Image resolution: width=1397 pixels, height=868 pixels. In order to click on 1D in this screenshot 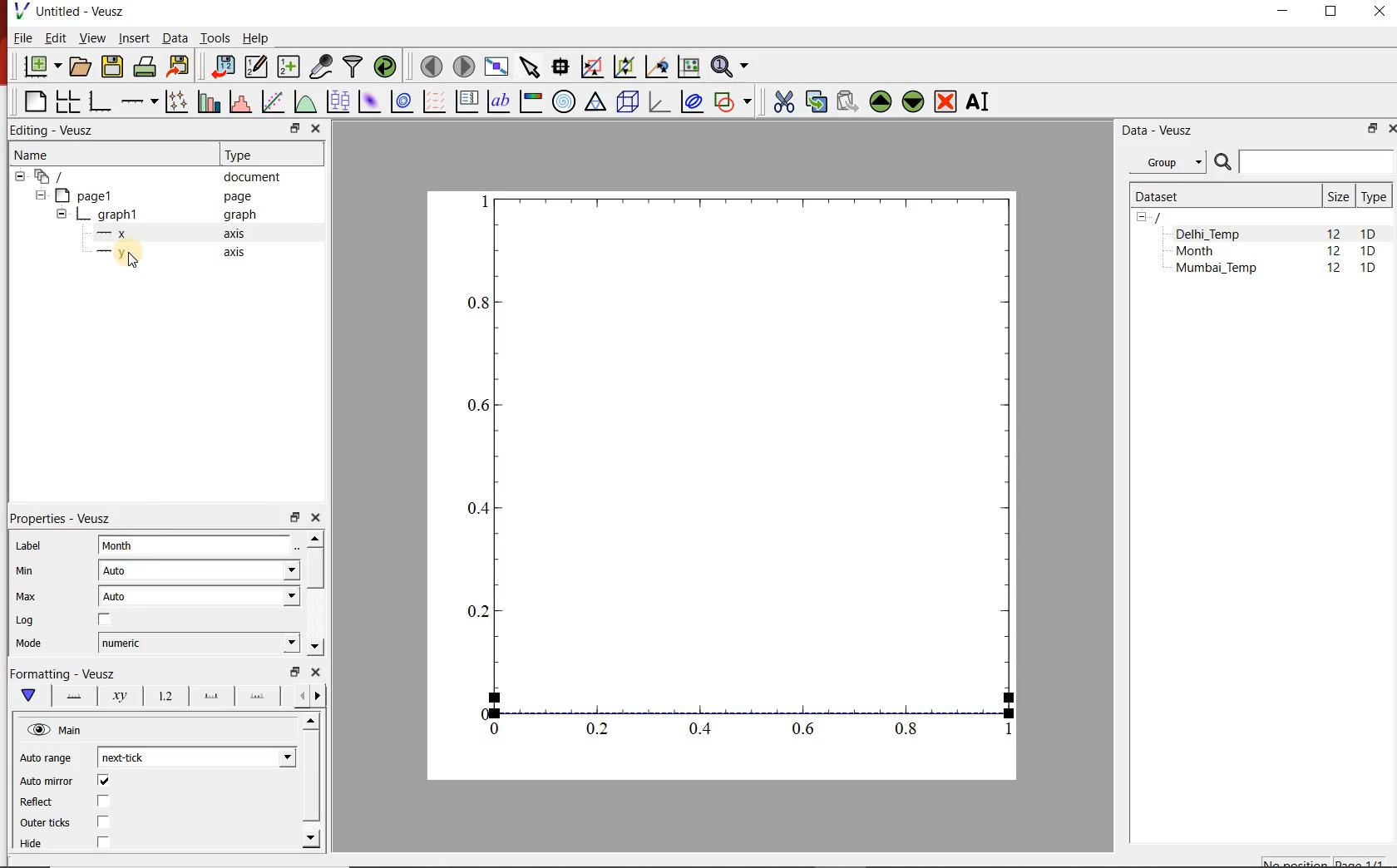, I will do `click(1368, 269)`.